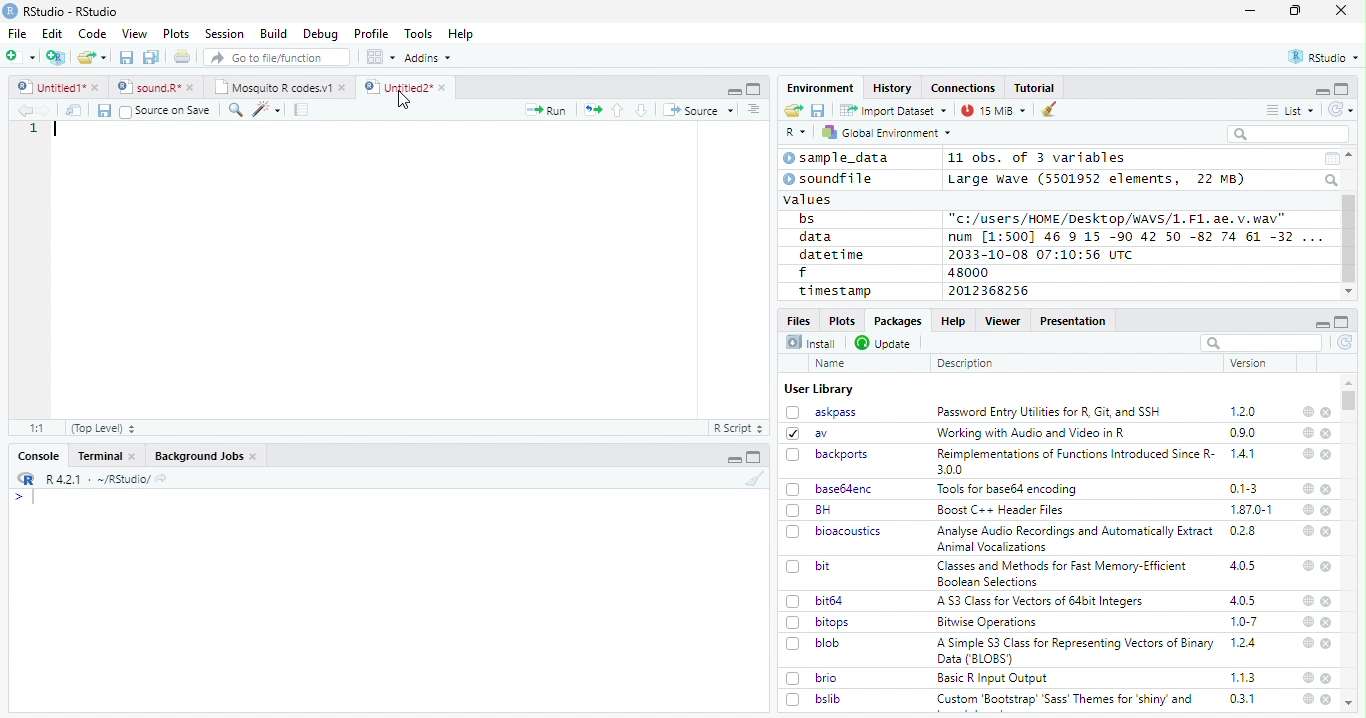  What do you see at coordinates (1327, 678) in the screenshot?
I see `close` at bounding box center [1327, 678].